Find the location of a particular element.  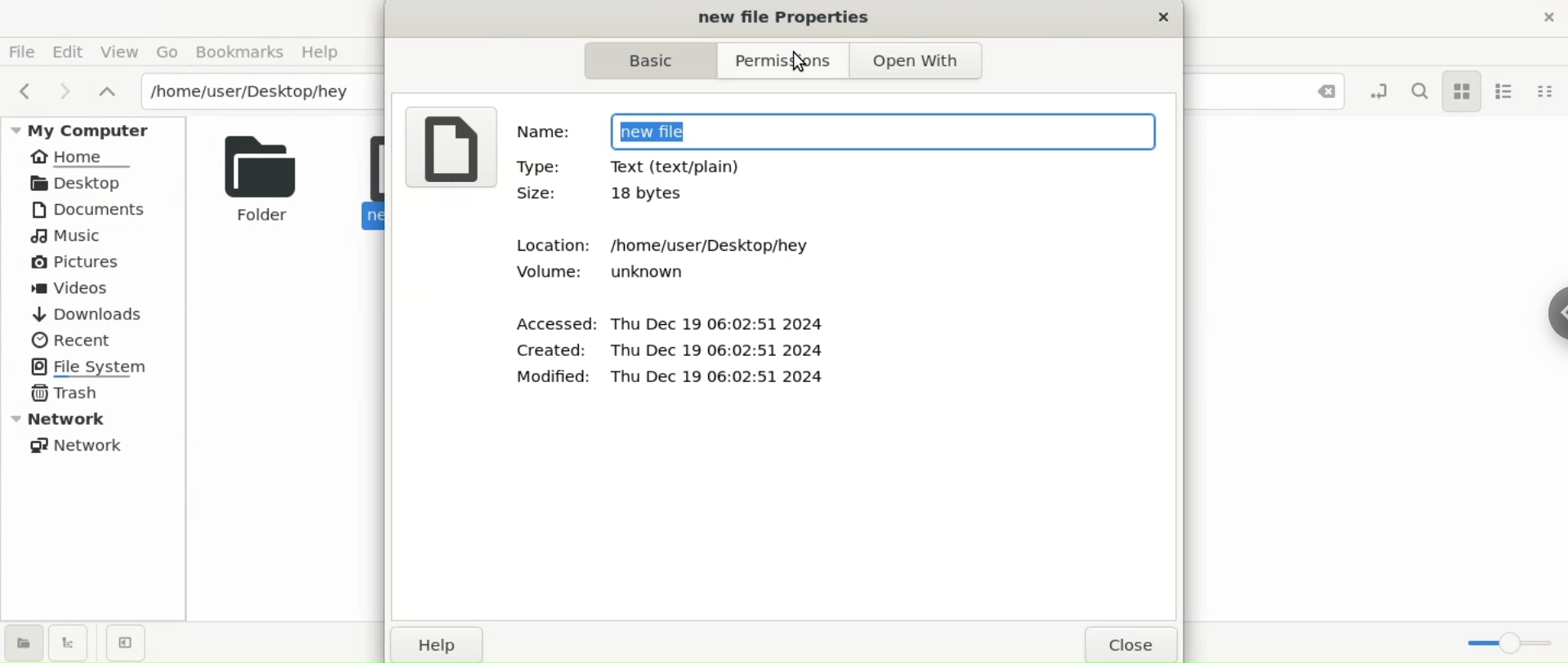

show treeview is located at coordinates (69, 642).